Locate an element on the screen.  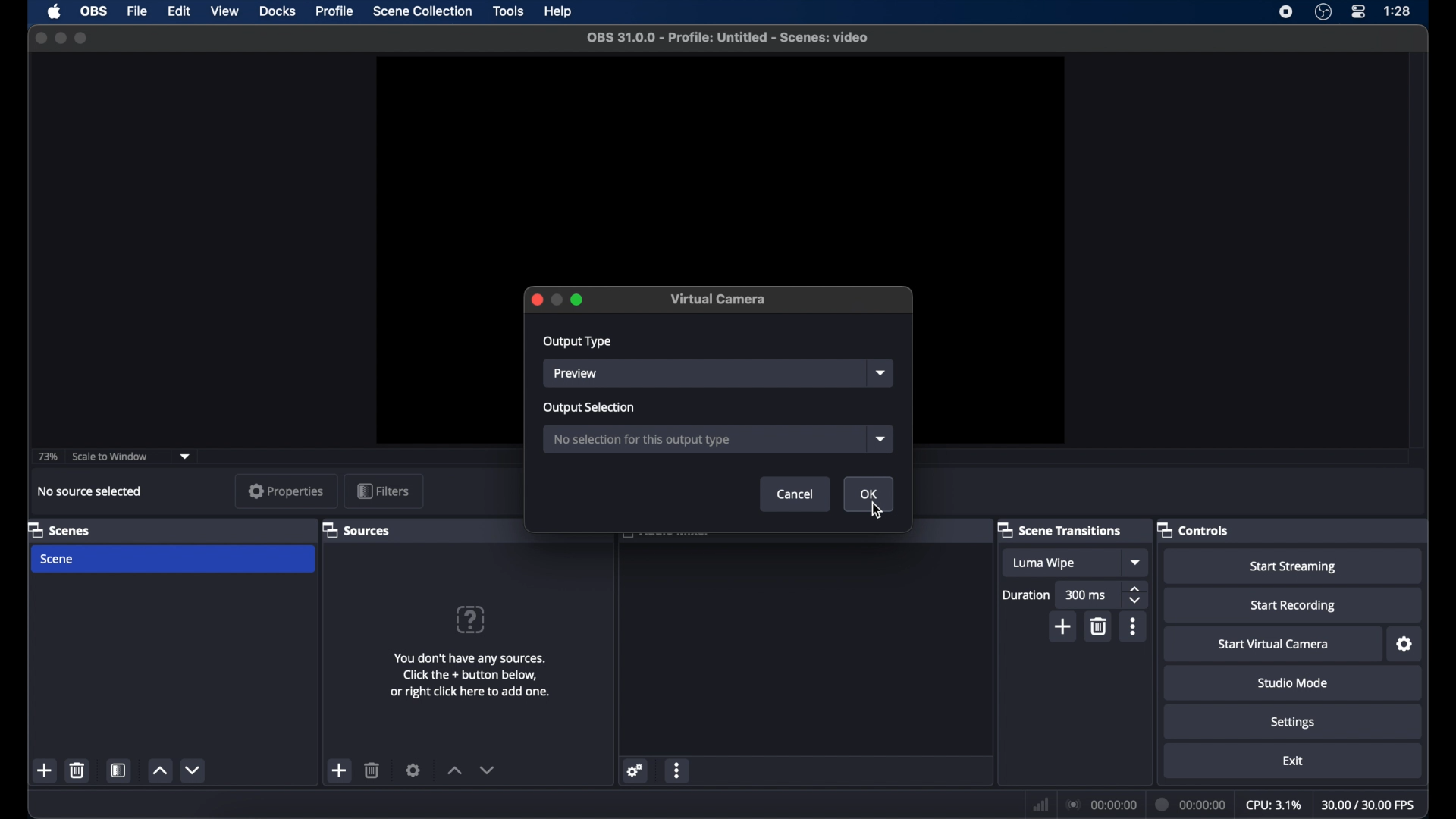
luma wipe is located at coordinates (1062, 563).